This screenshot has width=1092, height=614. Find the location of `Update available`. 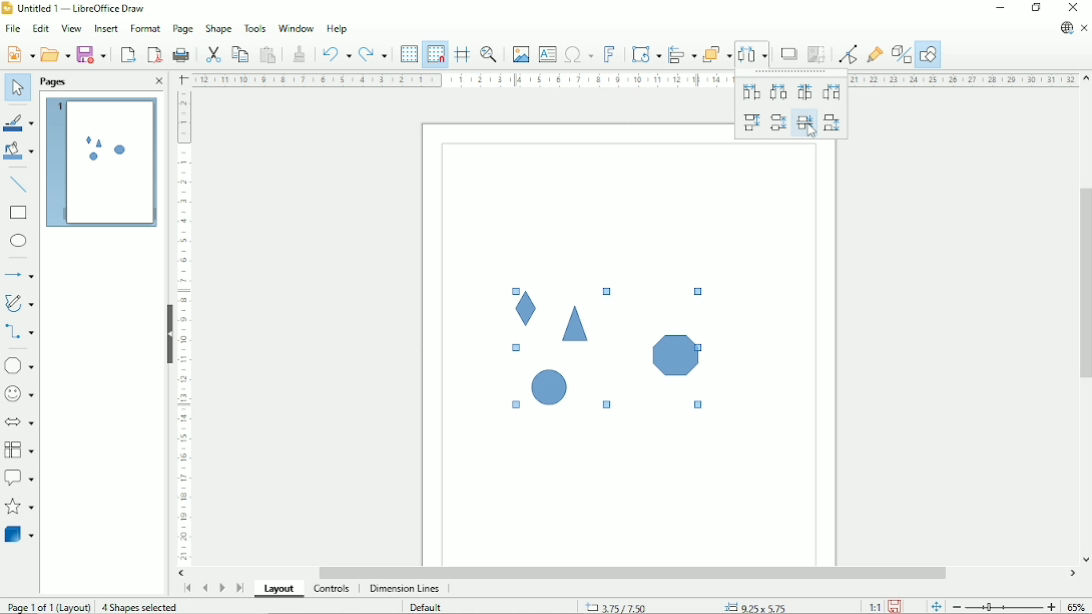

Update available is located at coordinates (1066, 28).